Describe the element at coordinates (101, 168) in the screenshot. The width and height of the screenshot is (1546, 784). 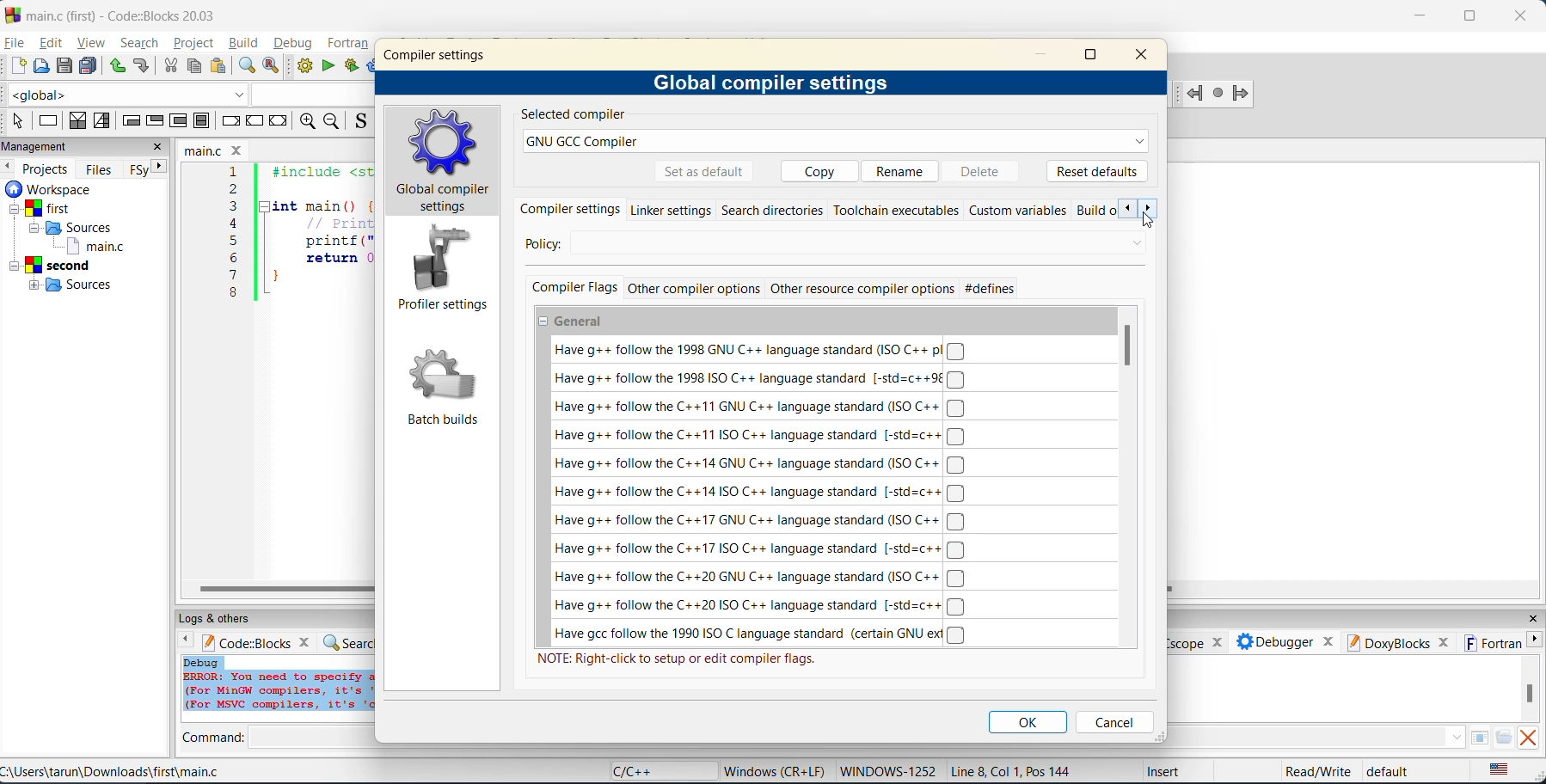
I see `files` at that location.